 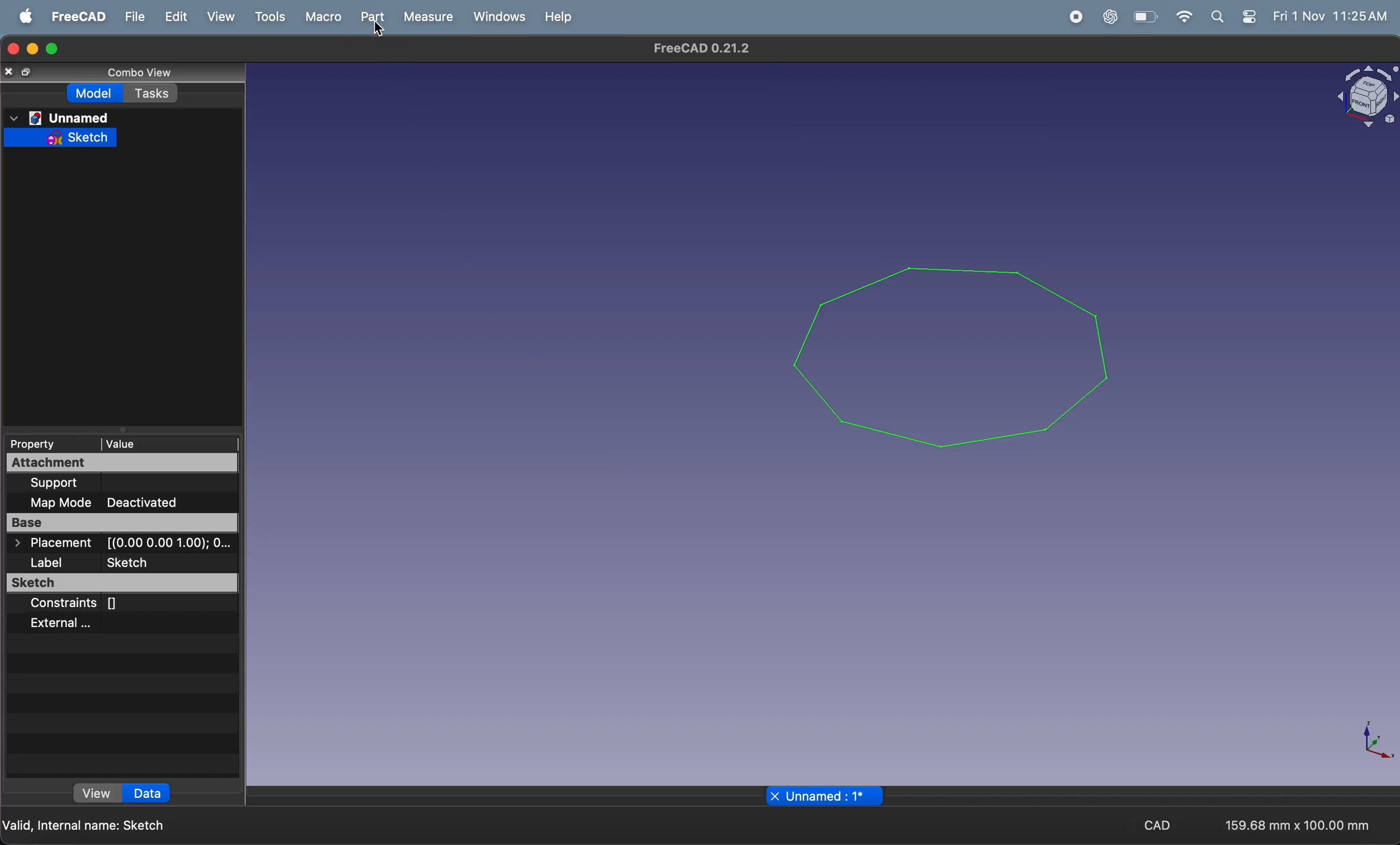 I want to click on sketch, so click(x=58, y=140).